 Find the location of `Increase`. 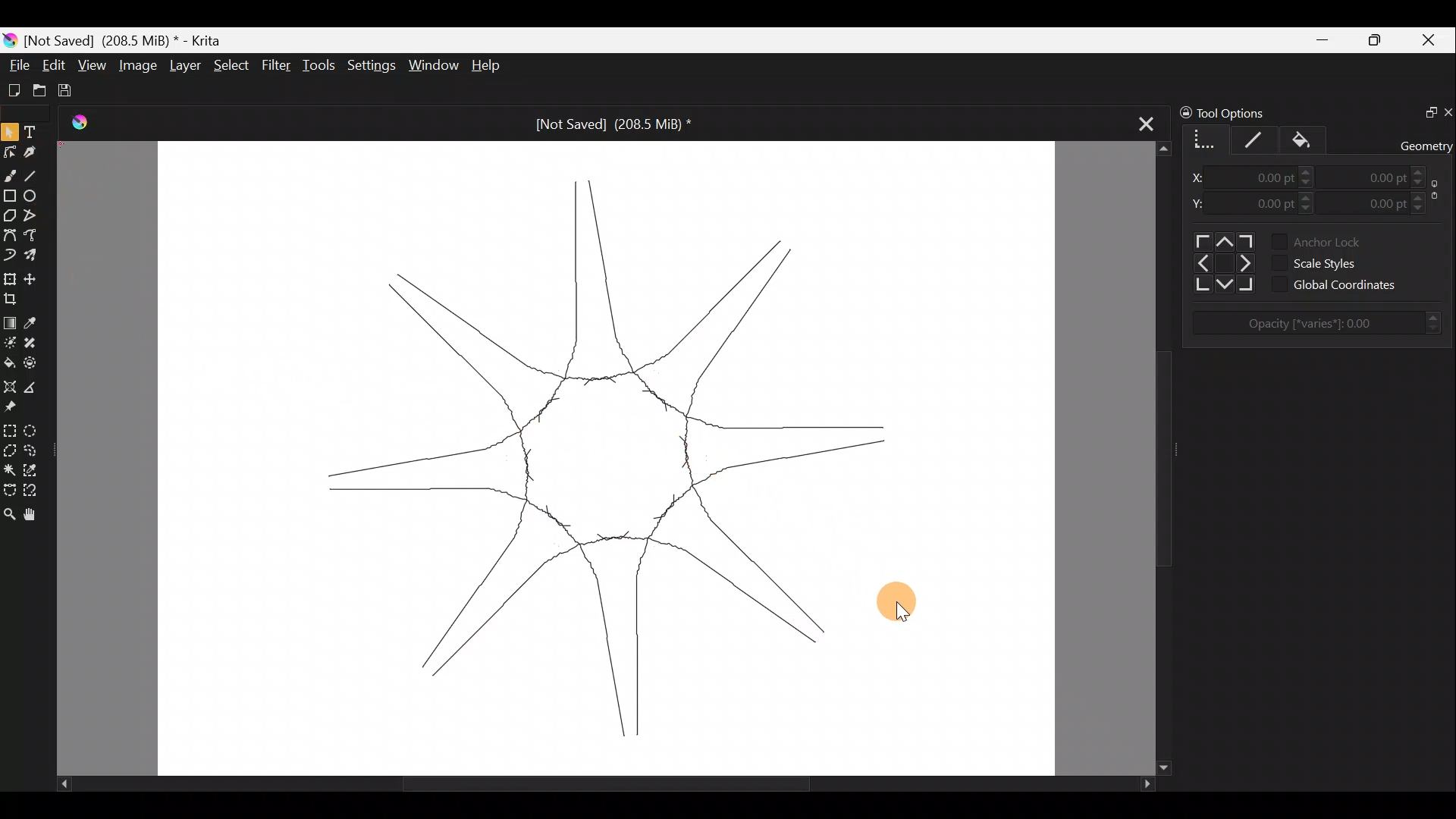

Increase is located at coordinates (1420, 170).